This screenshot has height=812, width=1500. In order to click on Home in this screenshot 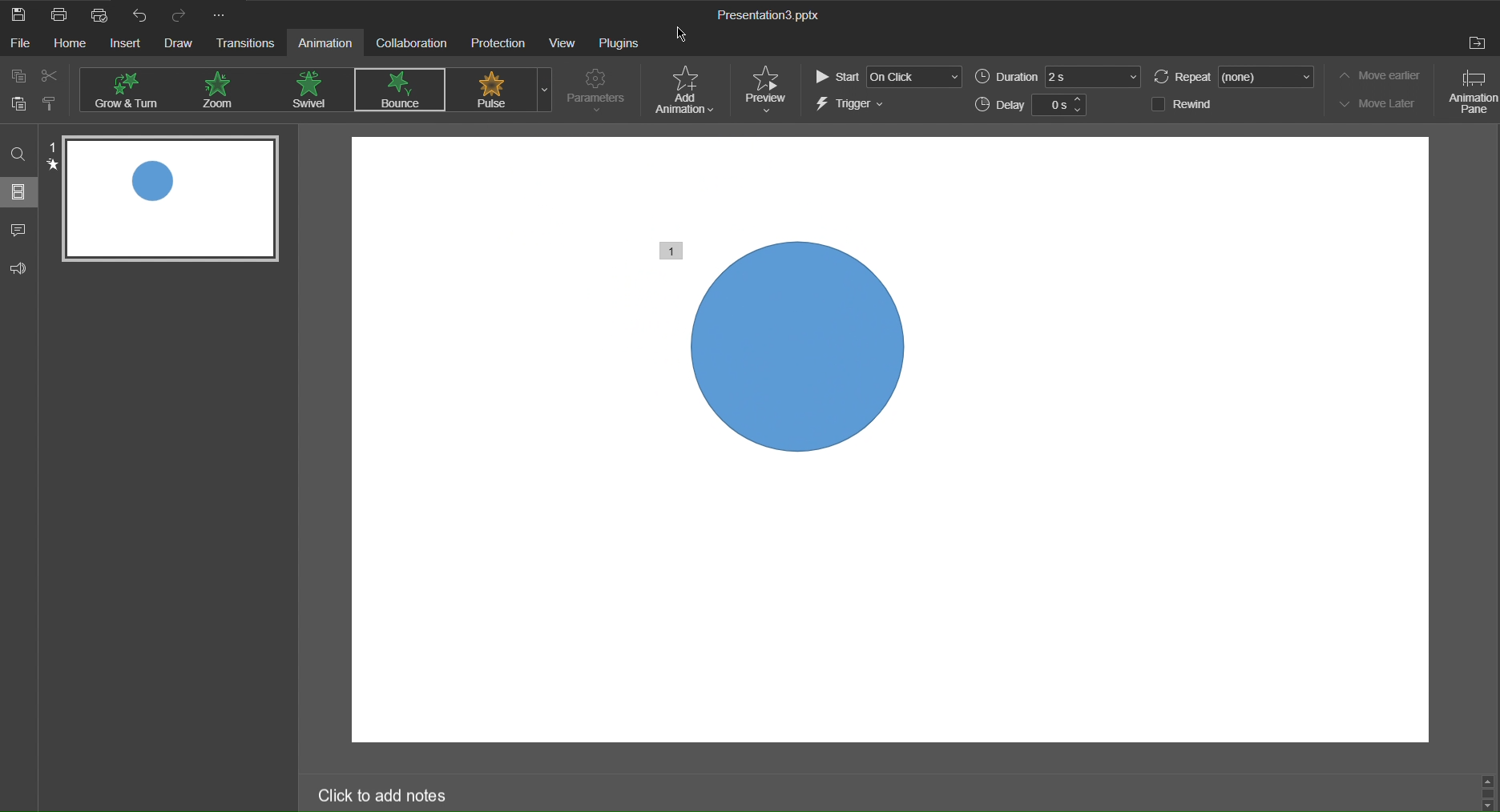, I will do `click(75, 44)`.